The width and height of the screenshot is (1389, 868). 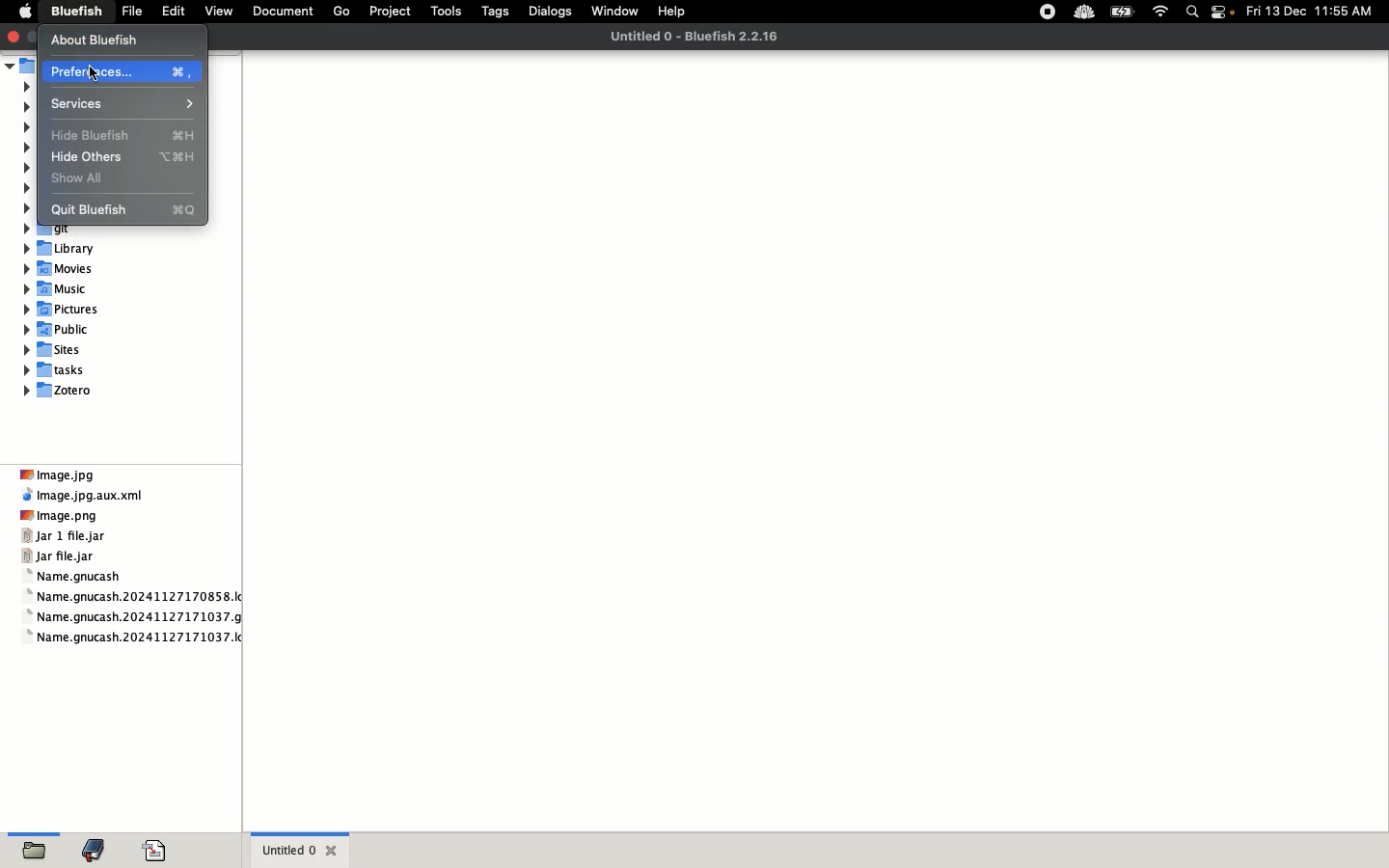 I want to click on show all, so click(x=87, y=177).